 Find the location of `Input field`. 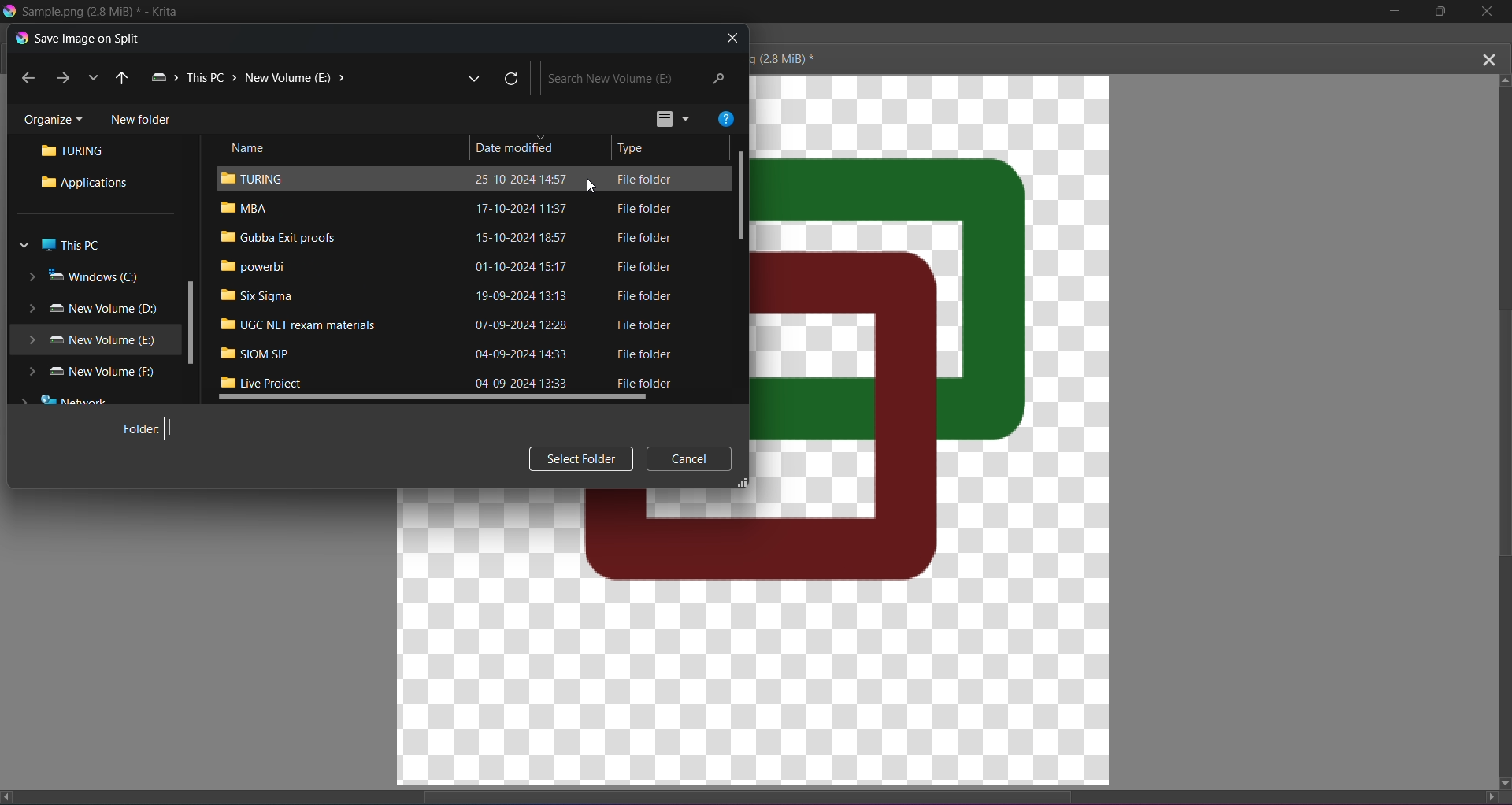

Input field is located at coordinates (448, 426).